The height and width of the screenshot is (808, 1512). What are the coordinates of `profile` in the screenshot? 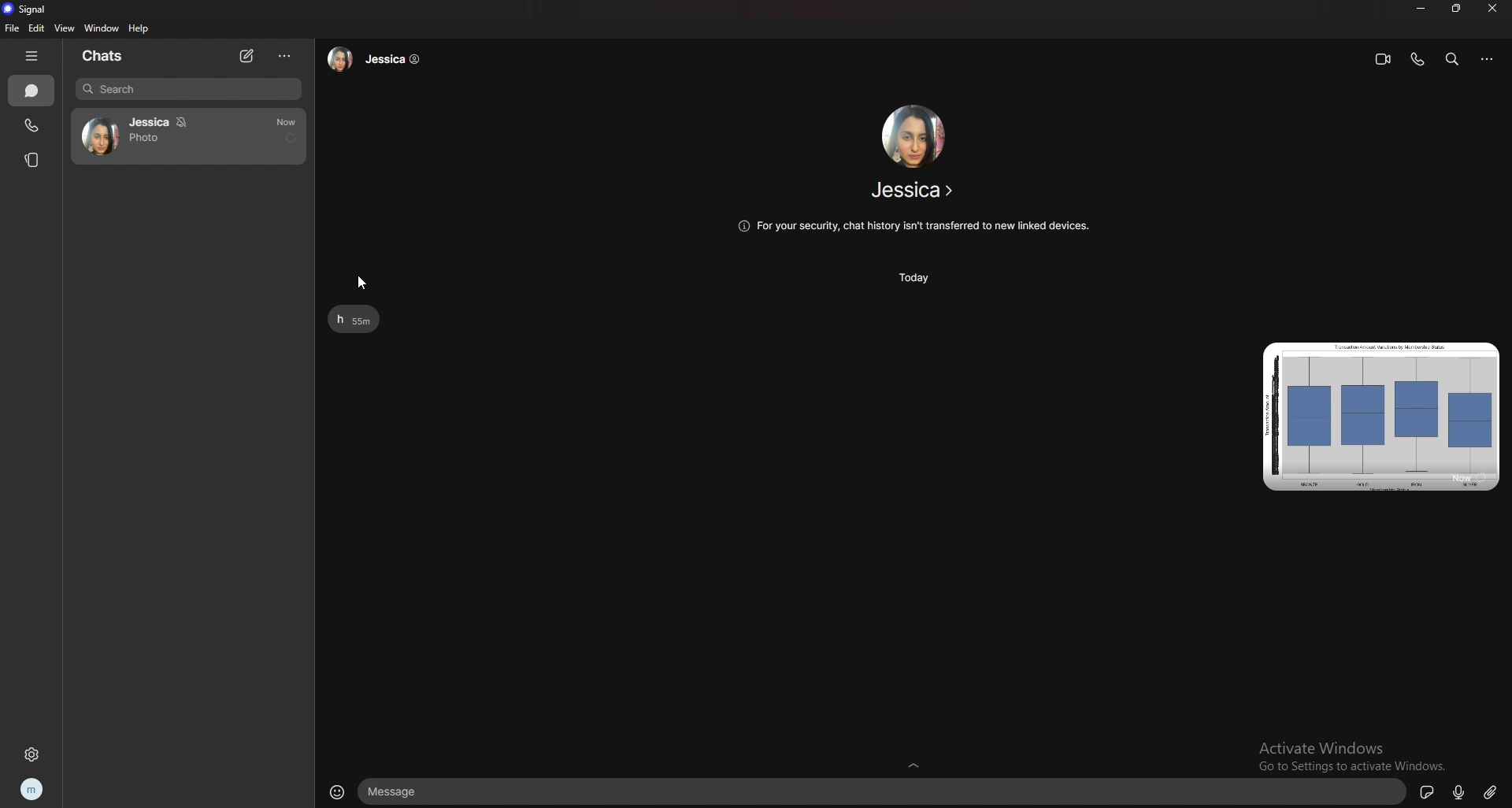 It's located at (33, 789).